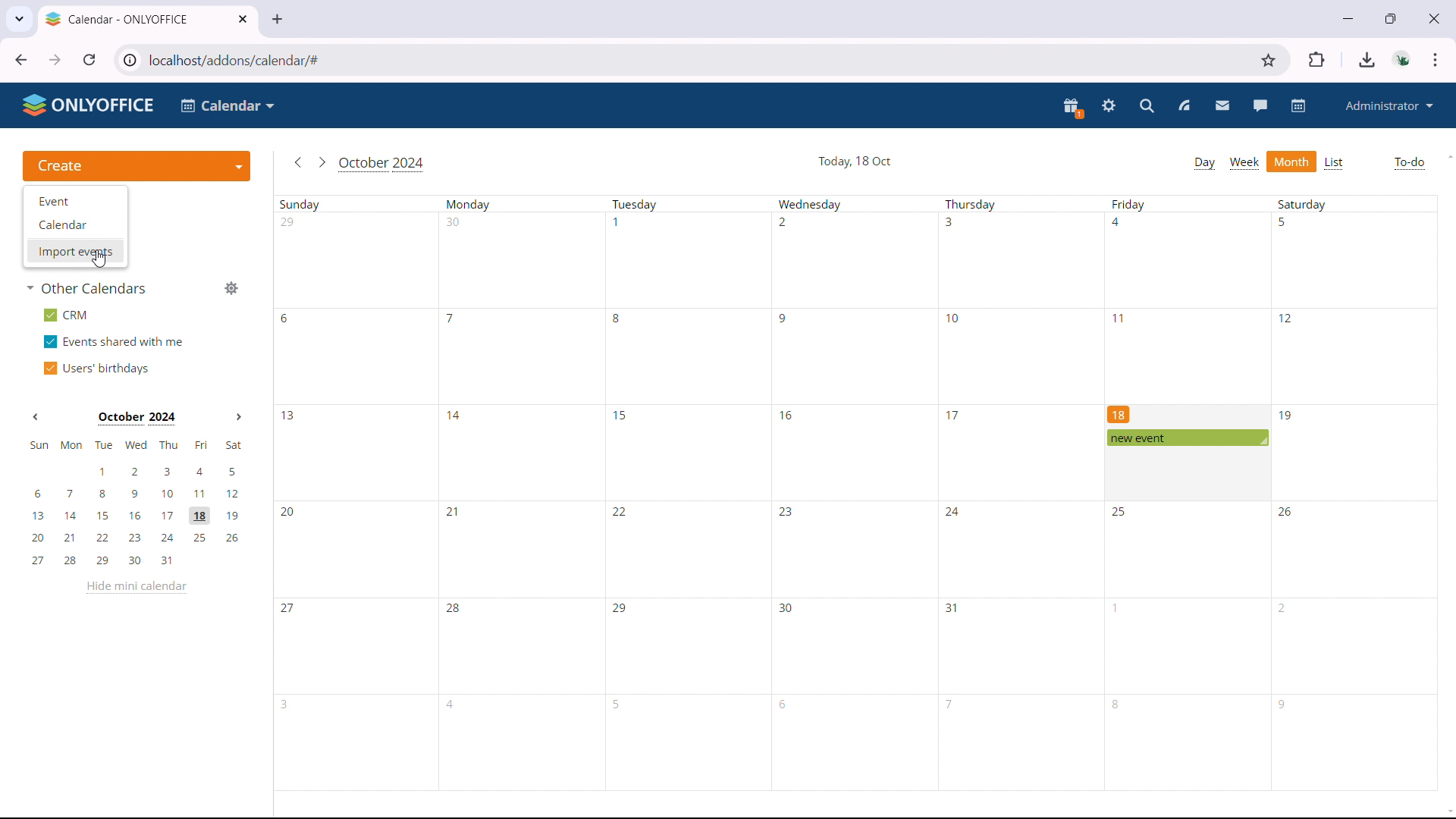  I want to click on 6, so click(286, 318).